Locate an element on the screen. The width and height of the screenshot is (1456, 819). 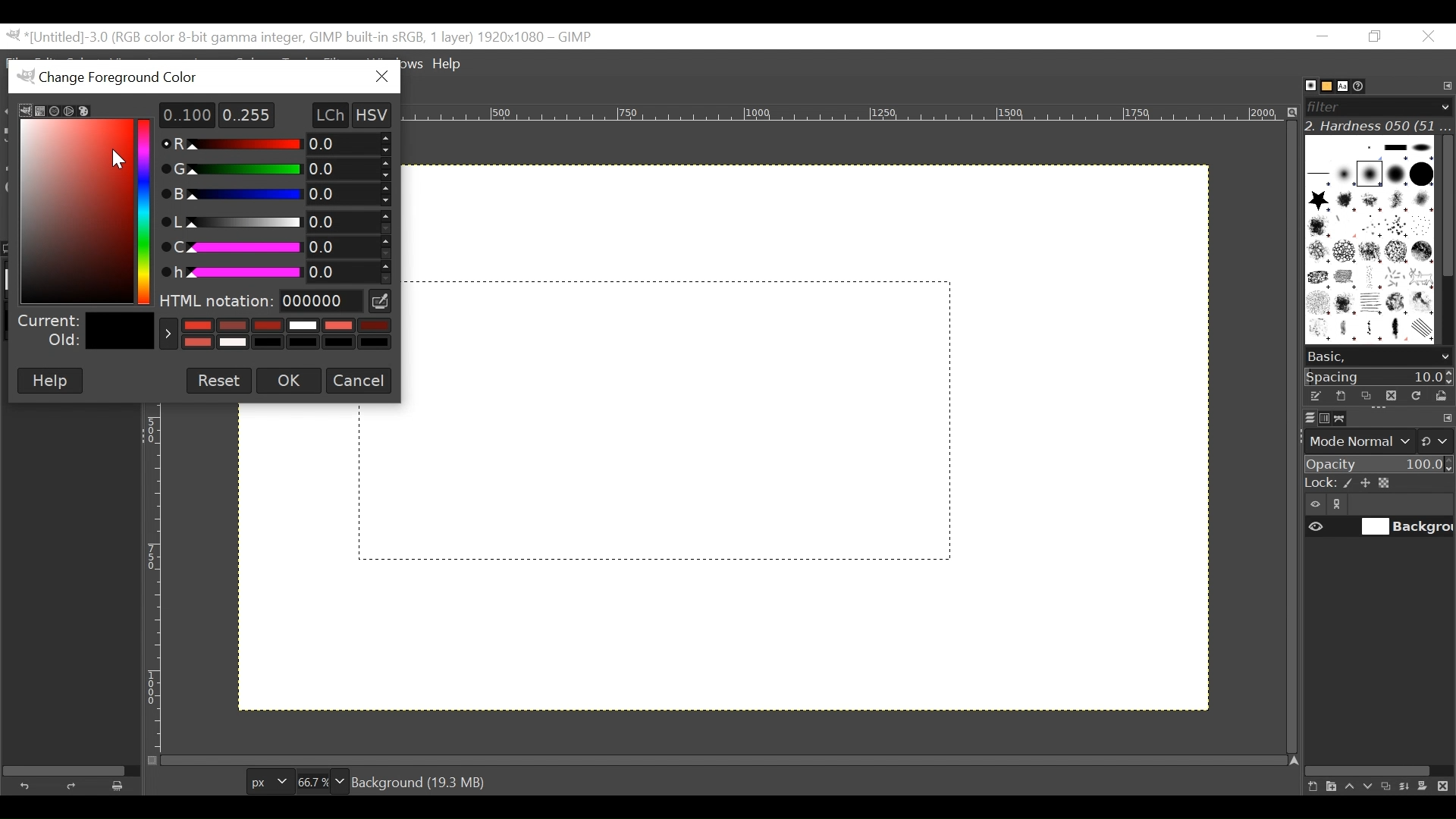
Gimp Foreground Color is located at coordinates (180, 76).